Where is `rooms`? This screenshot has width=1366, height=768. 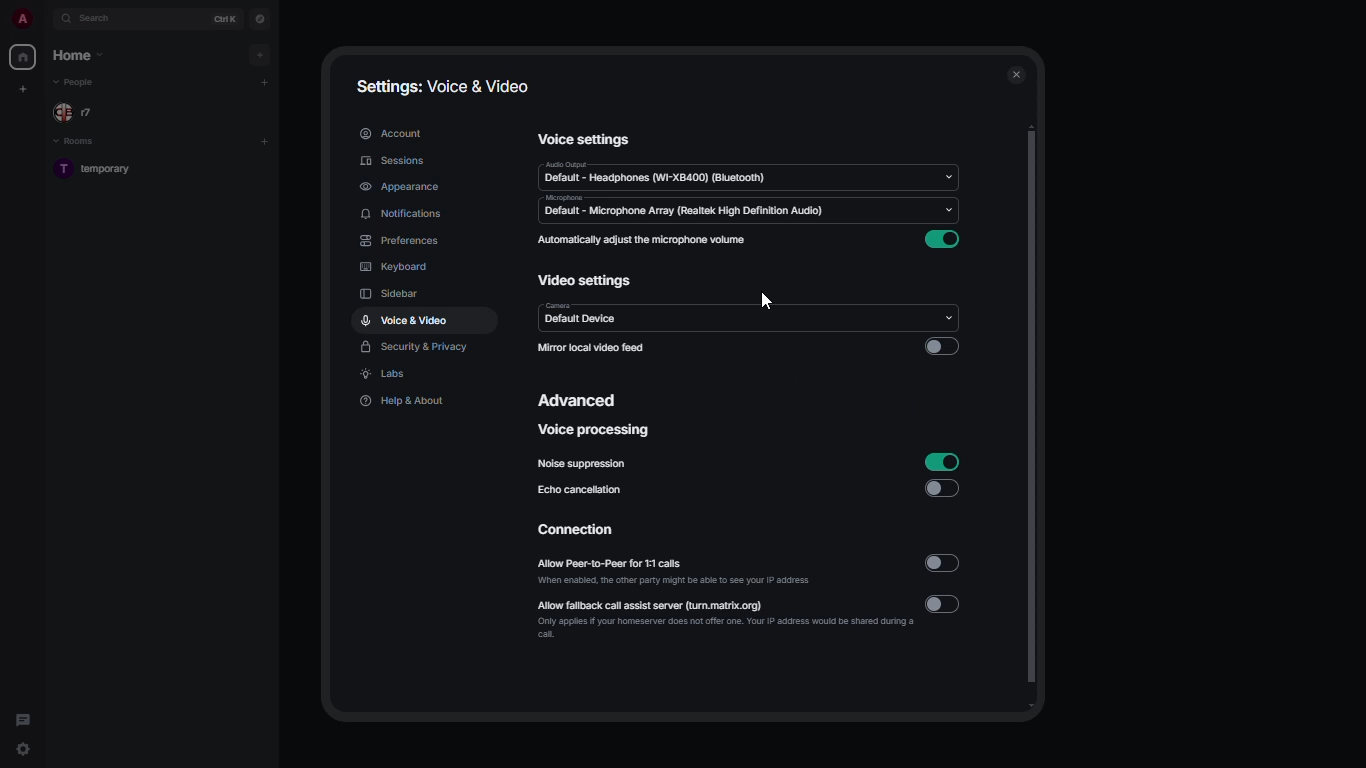
rooms is located at coordinates (78, 142).